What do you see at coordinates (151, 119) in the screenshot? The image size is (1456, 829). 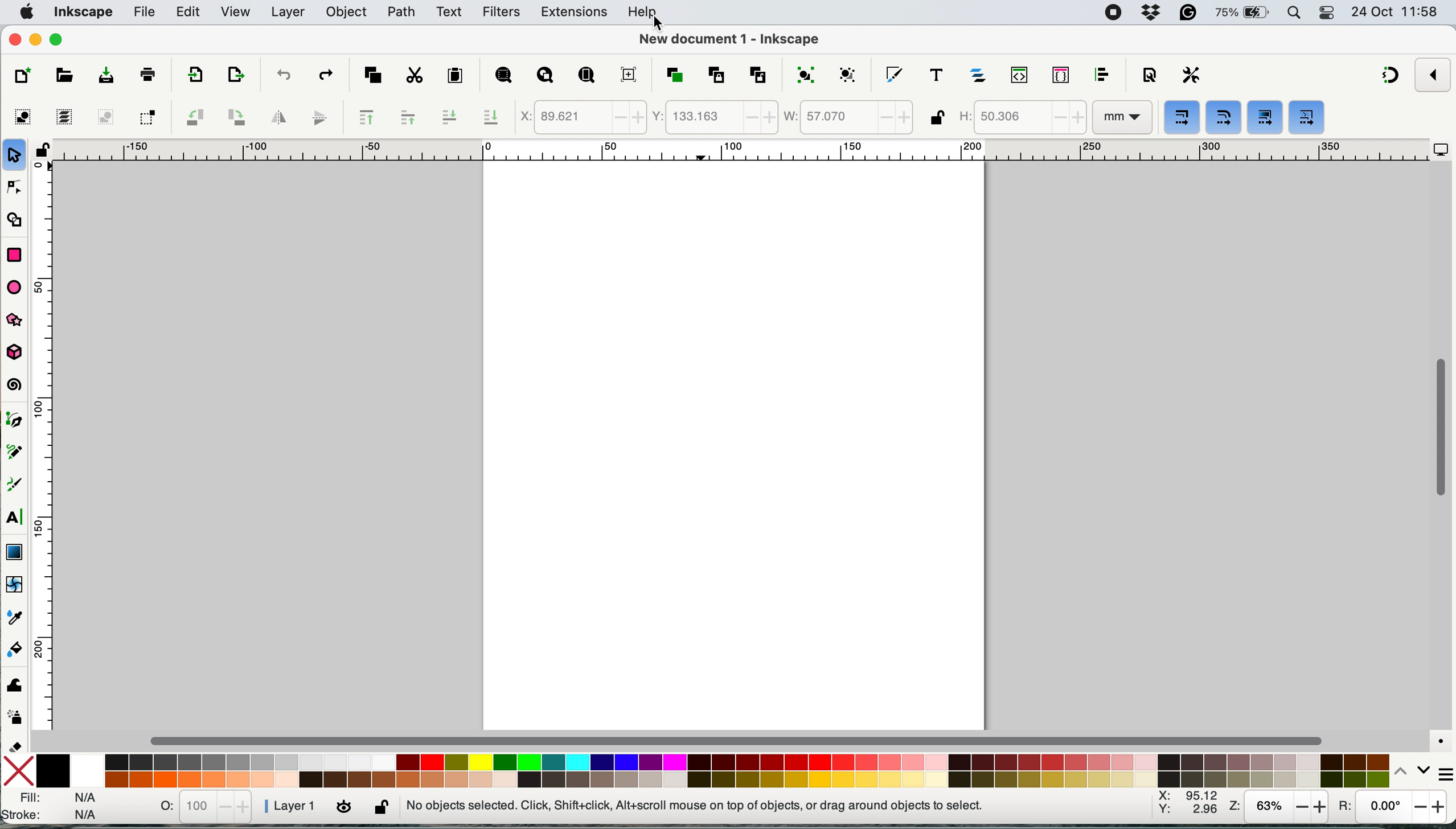 I see `toggle selection box to touch all selected boxes` at bounding box center [151, 119].